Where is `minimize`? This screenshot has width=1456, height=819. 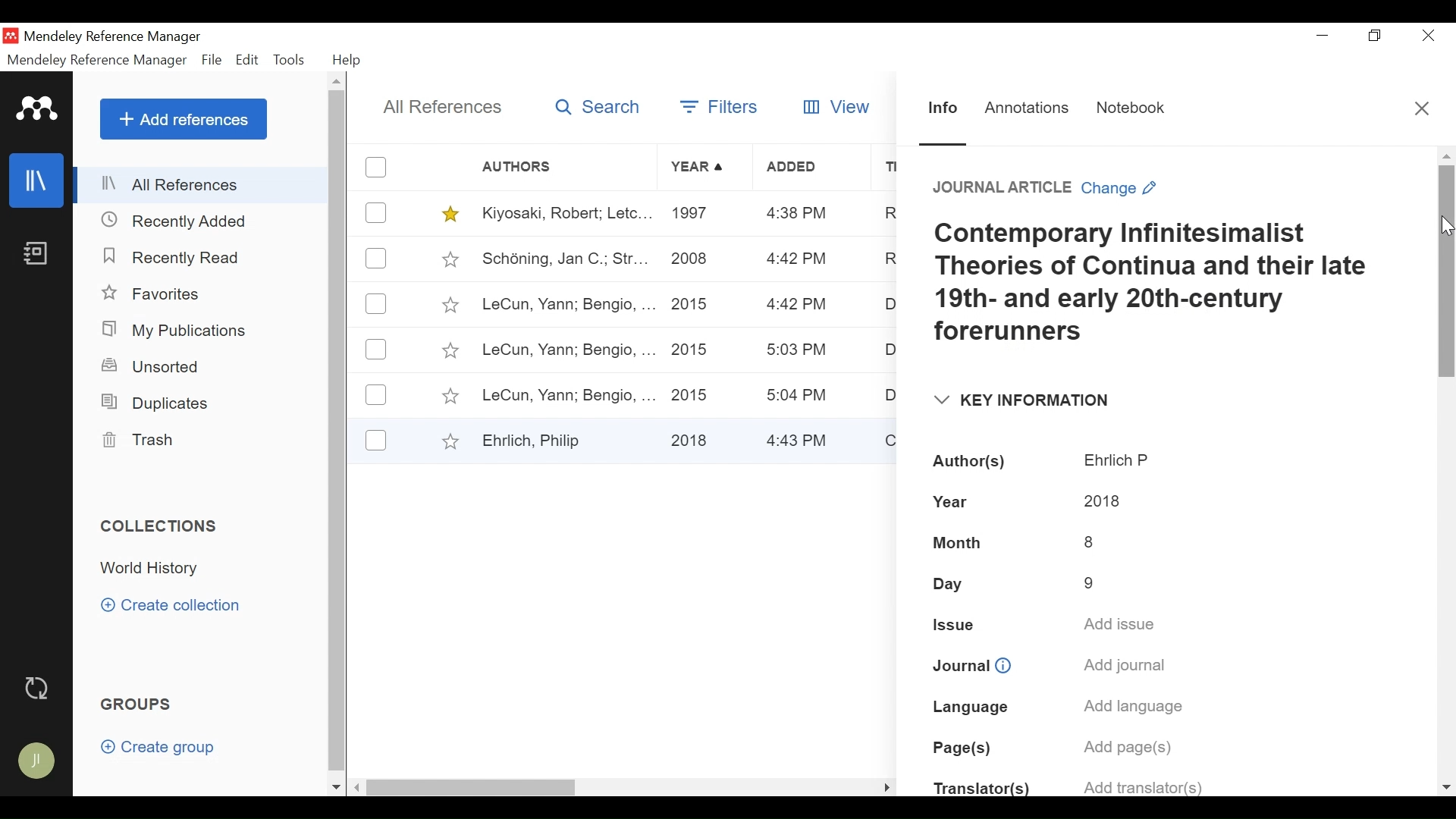
minimize is located at coordinates (1323, 36).